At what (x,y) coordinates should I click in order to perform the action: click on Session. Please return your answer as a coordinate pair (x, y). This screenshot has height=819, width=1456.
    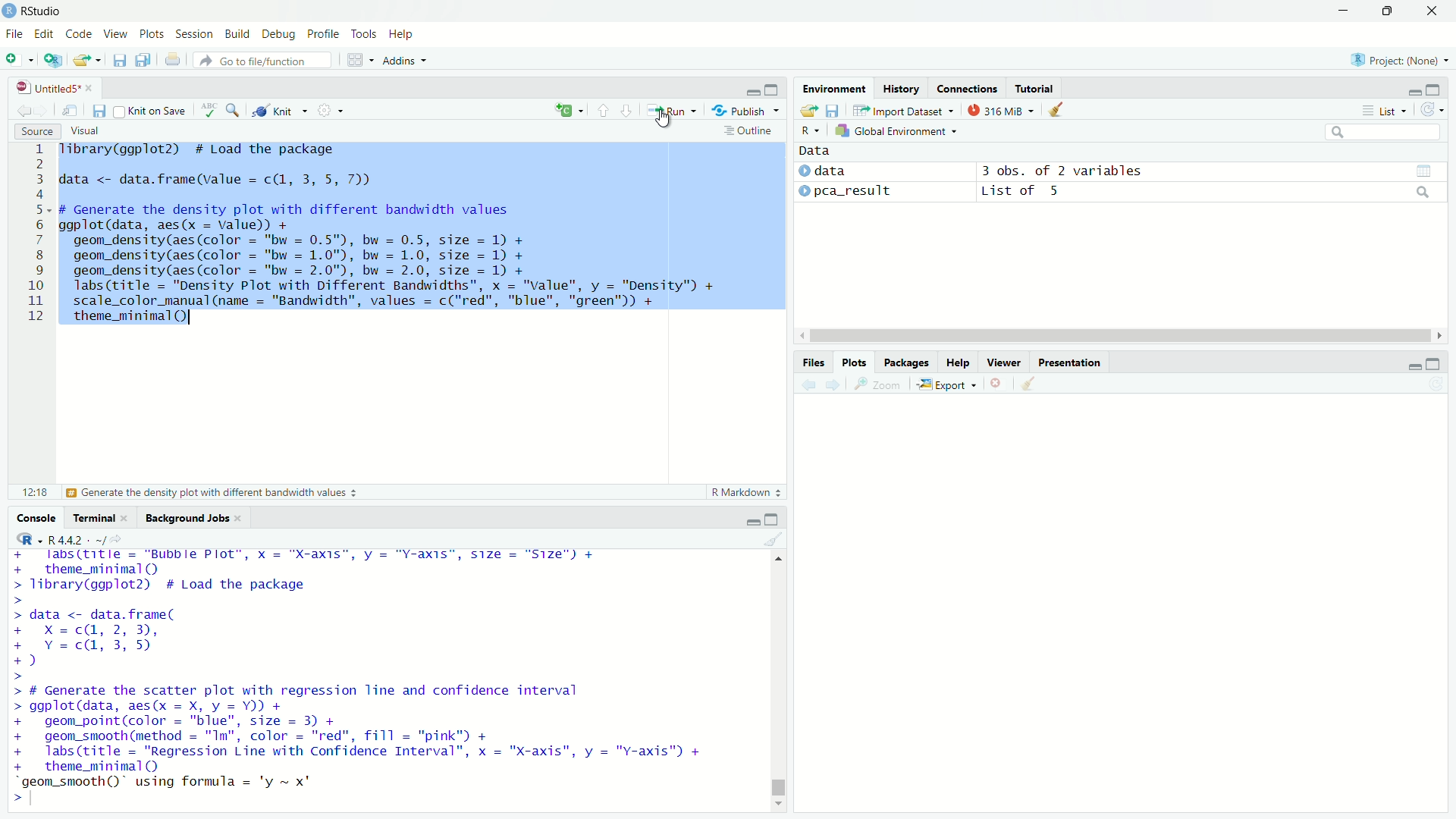
    Looking at the image, I should click on (193, 33).